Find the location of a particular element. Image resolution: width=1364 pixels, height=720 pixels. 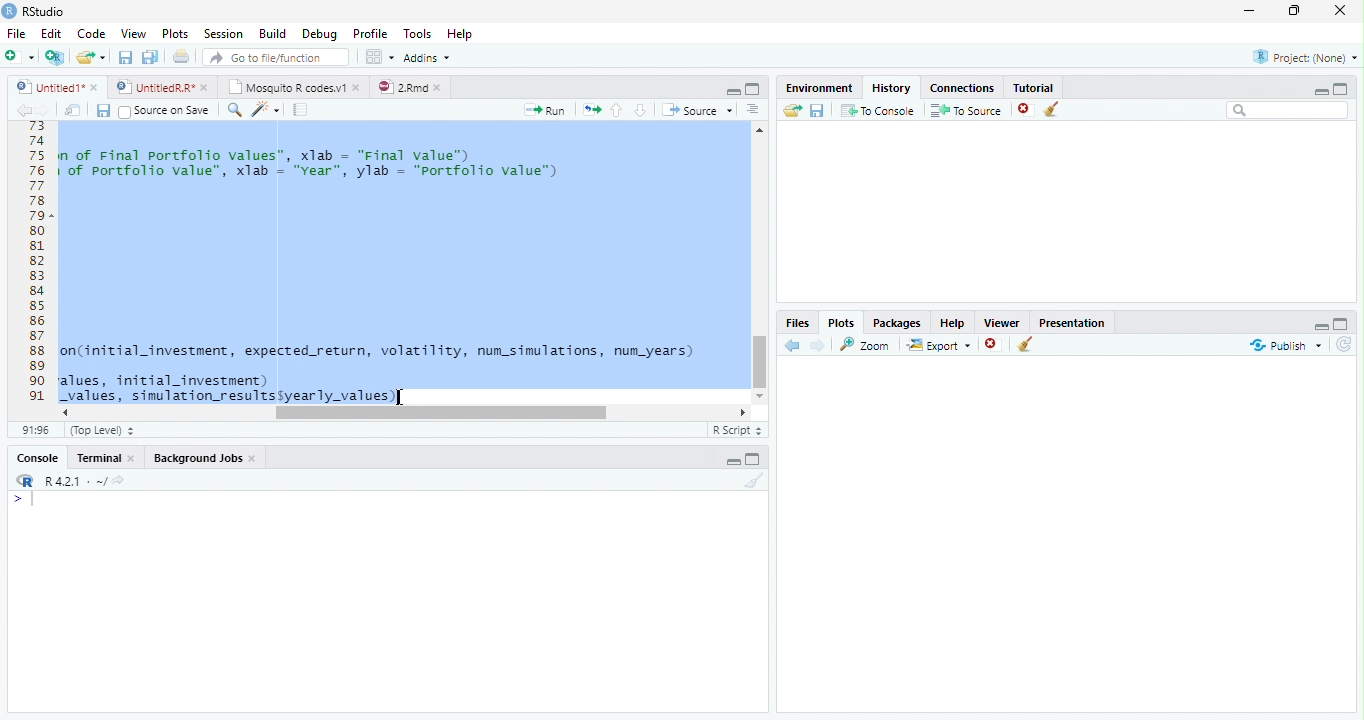

next source location is located at coordinates (44, 110).